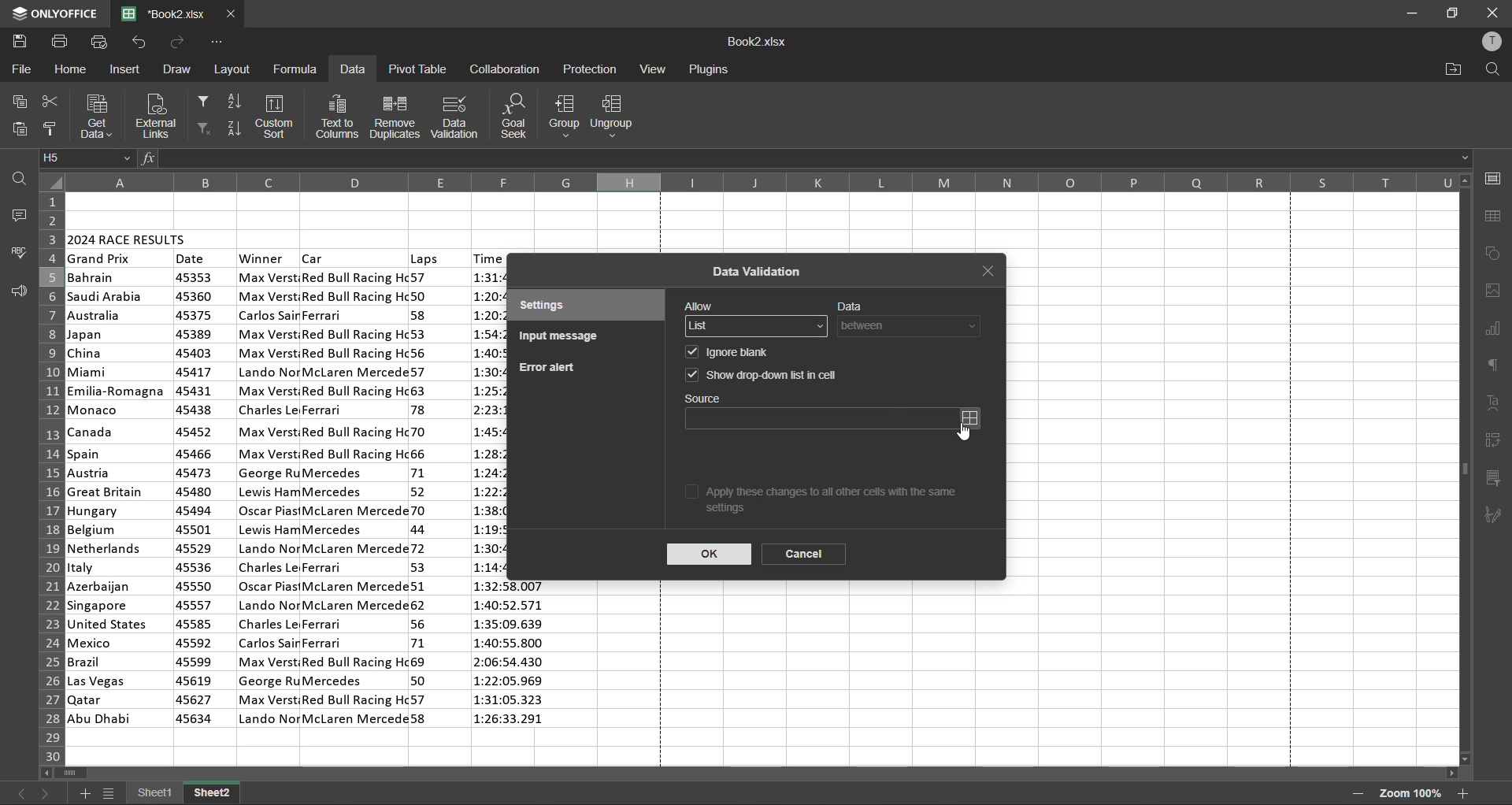 This screenshot has height=805, width=1512. What do you see at coordinates (195, 499) in the screenshot?
I see `date` at bounding box center [195, 499].